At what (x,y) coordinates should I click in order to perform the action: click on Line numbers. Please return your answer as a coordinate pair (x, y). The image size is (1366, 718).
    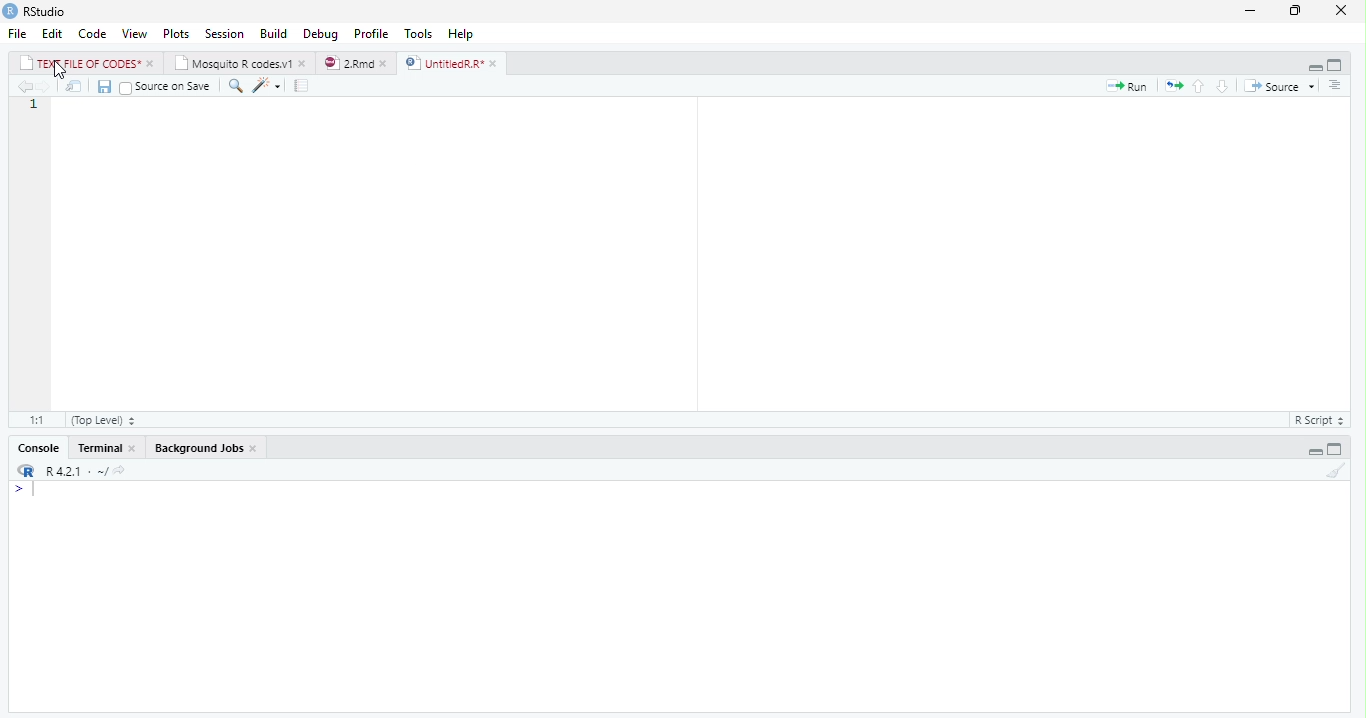
    Looking at the image, I should click on (33, 106).